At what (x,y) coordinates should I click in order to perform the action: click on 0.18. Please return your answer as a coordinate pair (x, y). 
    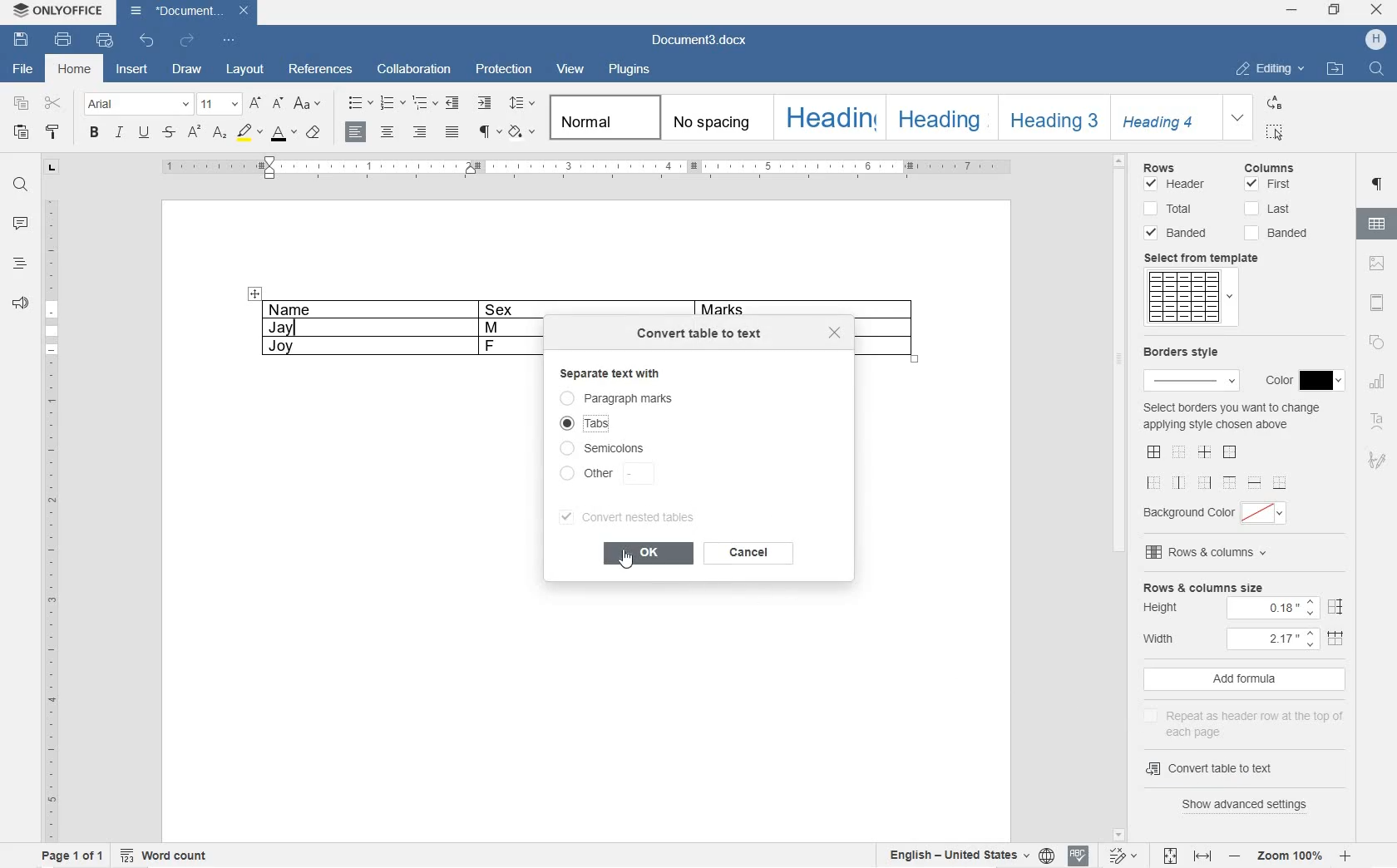
    Looking at the image, I should click on (1272, 610).